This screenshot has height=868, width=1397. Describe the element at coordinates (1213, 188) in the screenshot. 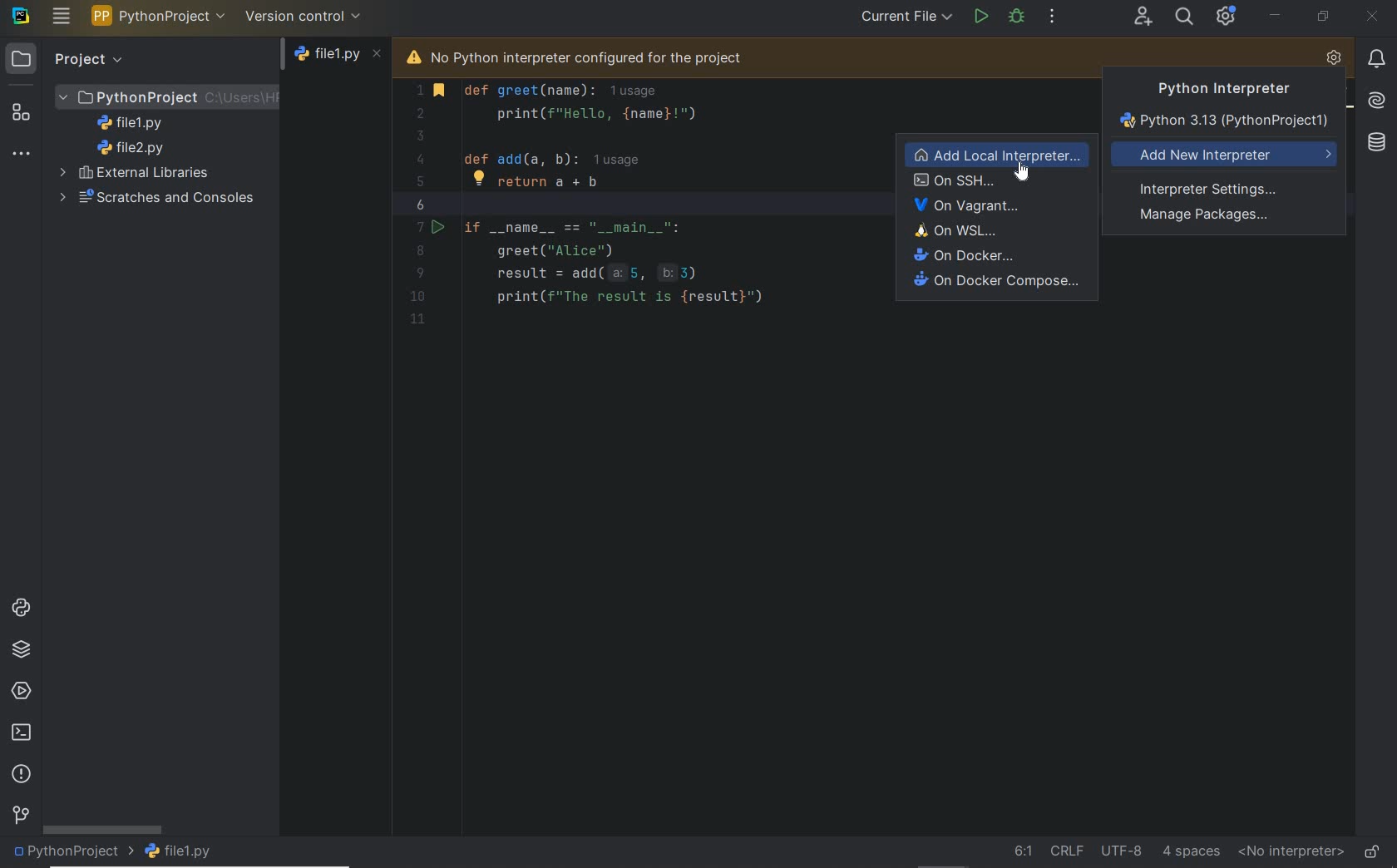

I see `Interpreter Settings` at that location.